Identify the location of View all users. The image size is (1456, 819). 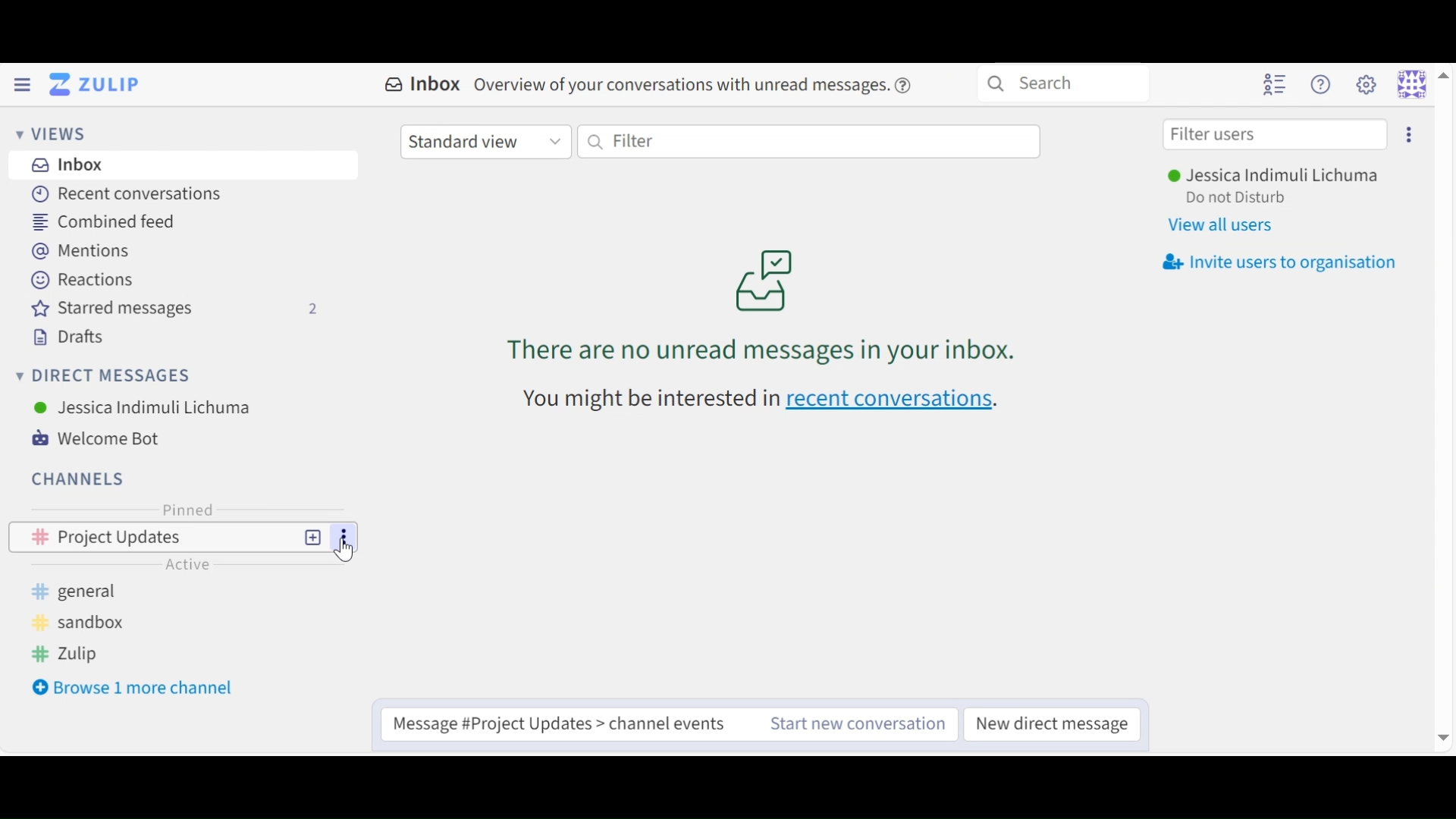
(1219, 225).